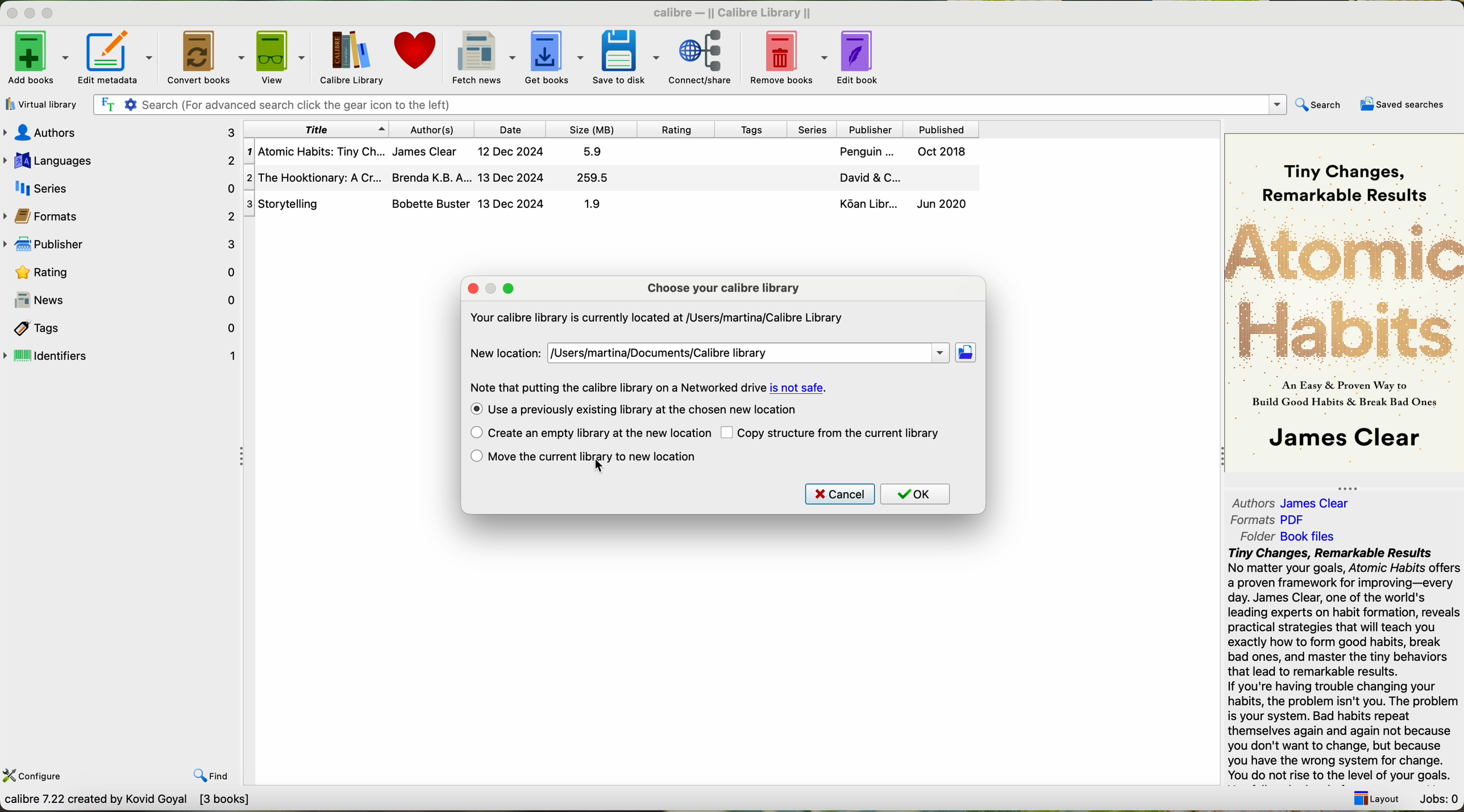 This screenshot has width=1464, height=812. I want to click on /Users/martina/Documents/Calibre library, so click(750, 352).